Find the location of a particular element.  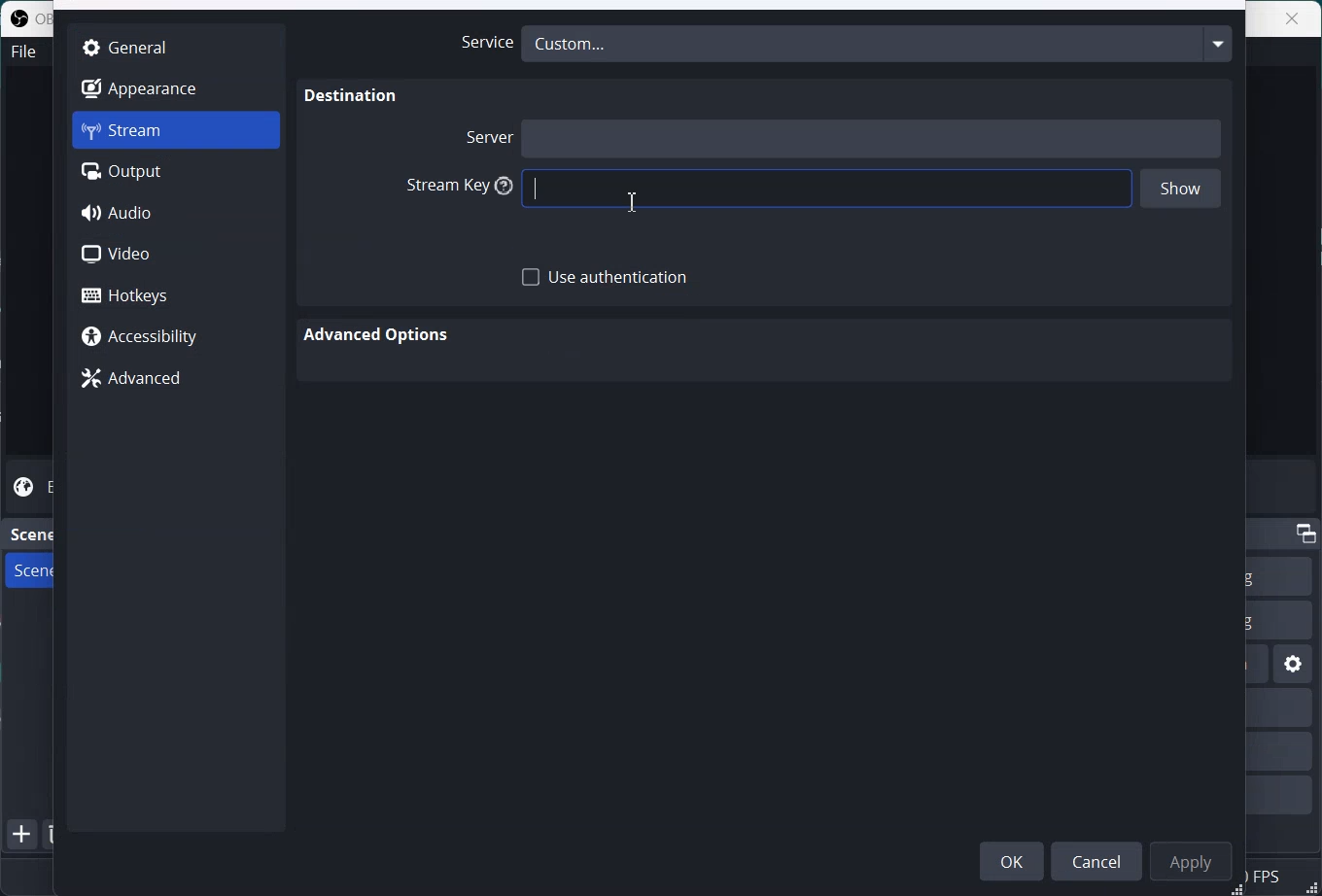

close is located at coordinates (1294, 17).